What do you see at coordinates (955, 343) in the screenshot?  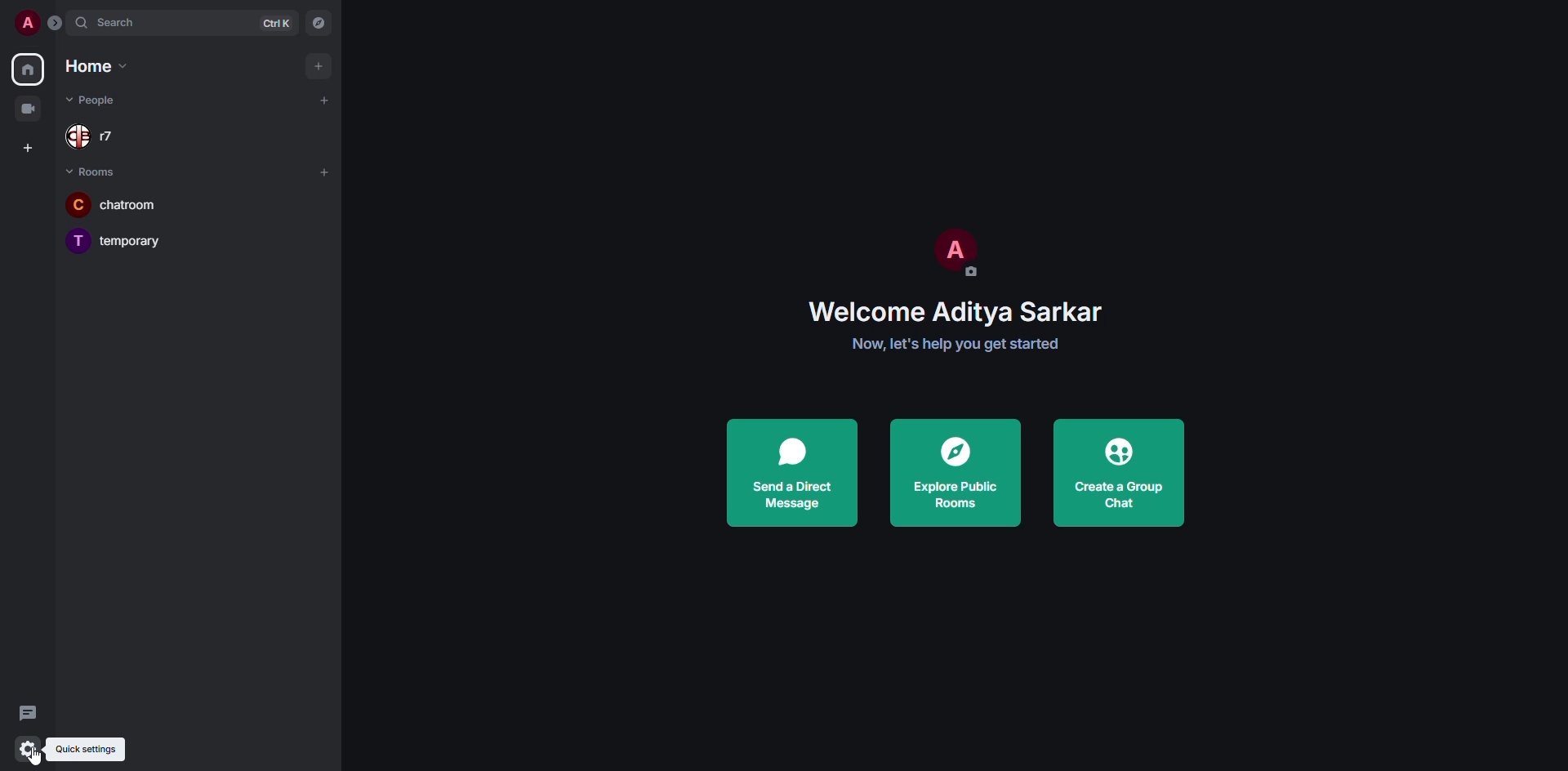 I see `get started` at bounding box center [955, 343].